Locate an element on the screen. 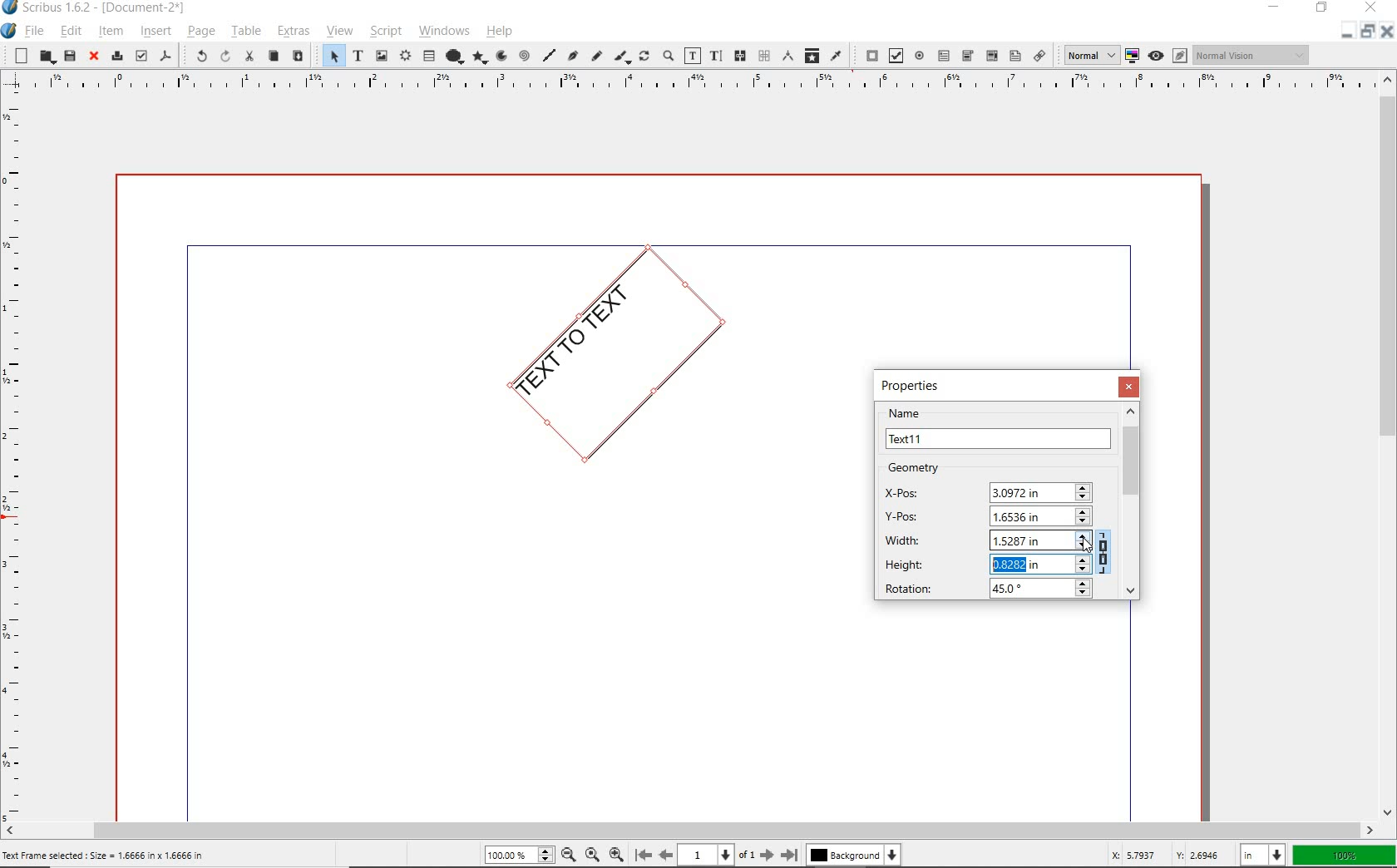 The image size is (1397, 868). table is located at coordinates (428, 56).